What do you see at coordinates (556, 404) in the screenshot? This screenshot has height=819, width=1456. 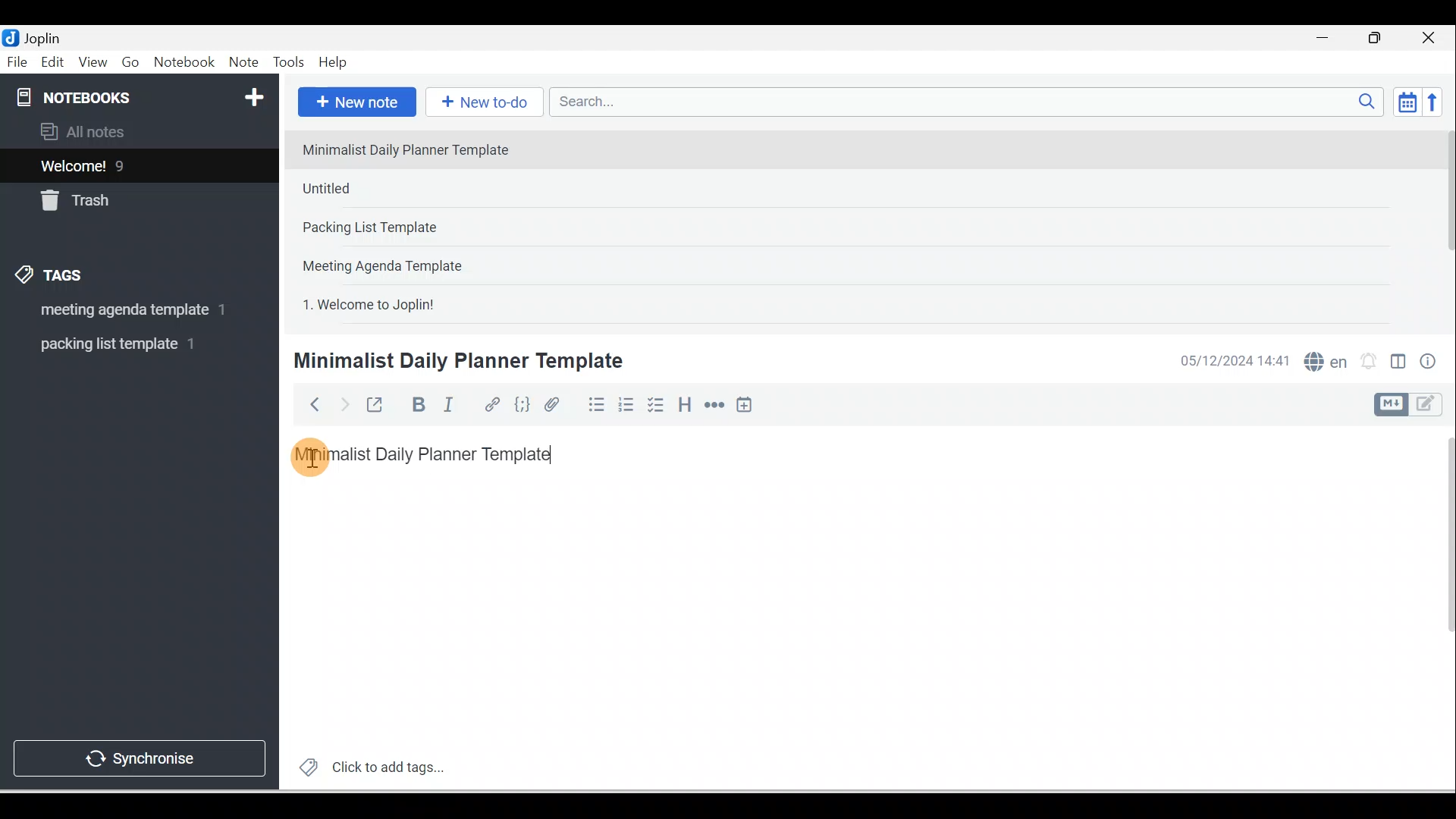 I see `Attach file` at bounding box center [556, 404].